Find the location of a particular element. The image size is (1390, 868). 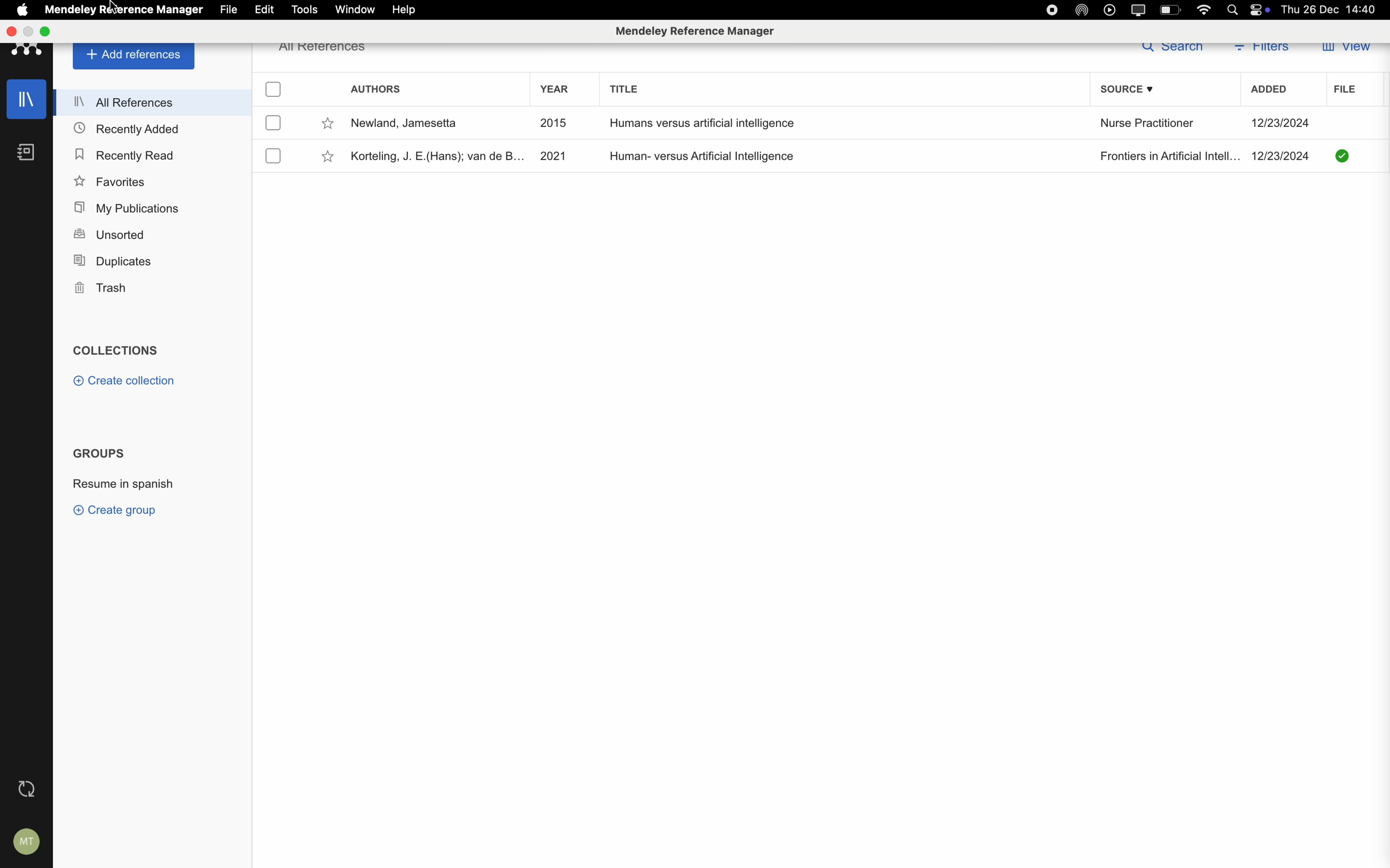

recently added is located at coordinates (128, 127).